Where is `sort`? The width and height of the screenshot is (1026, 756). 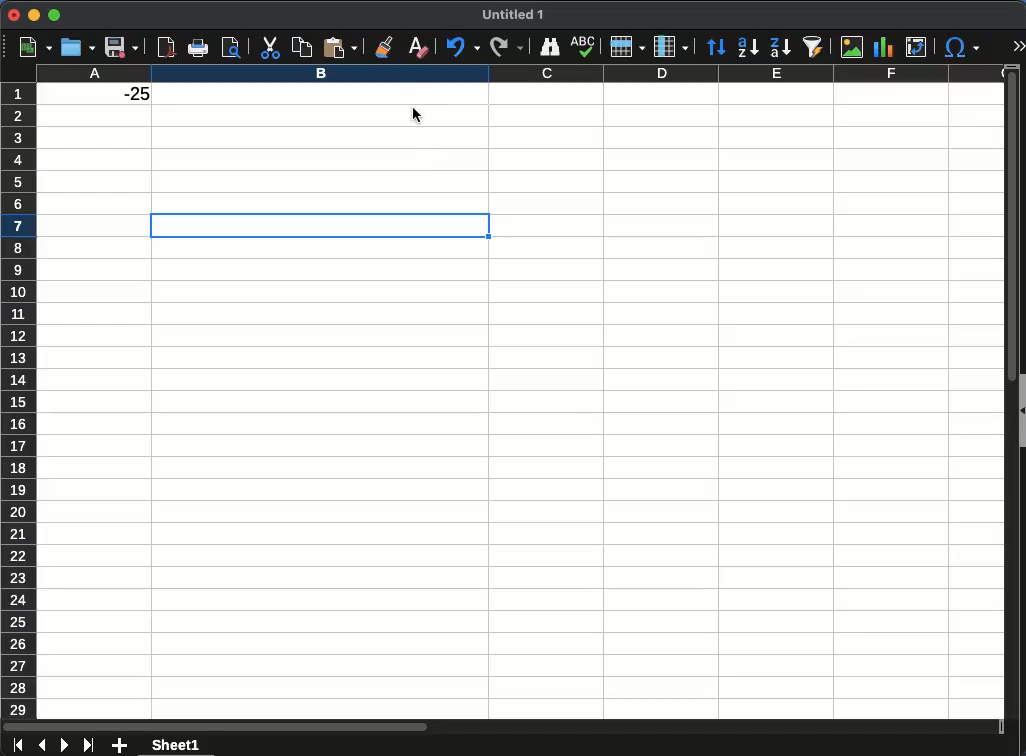 sort is located at coordinates (718, 48).